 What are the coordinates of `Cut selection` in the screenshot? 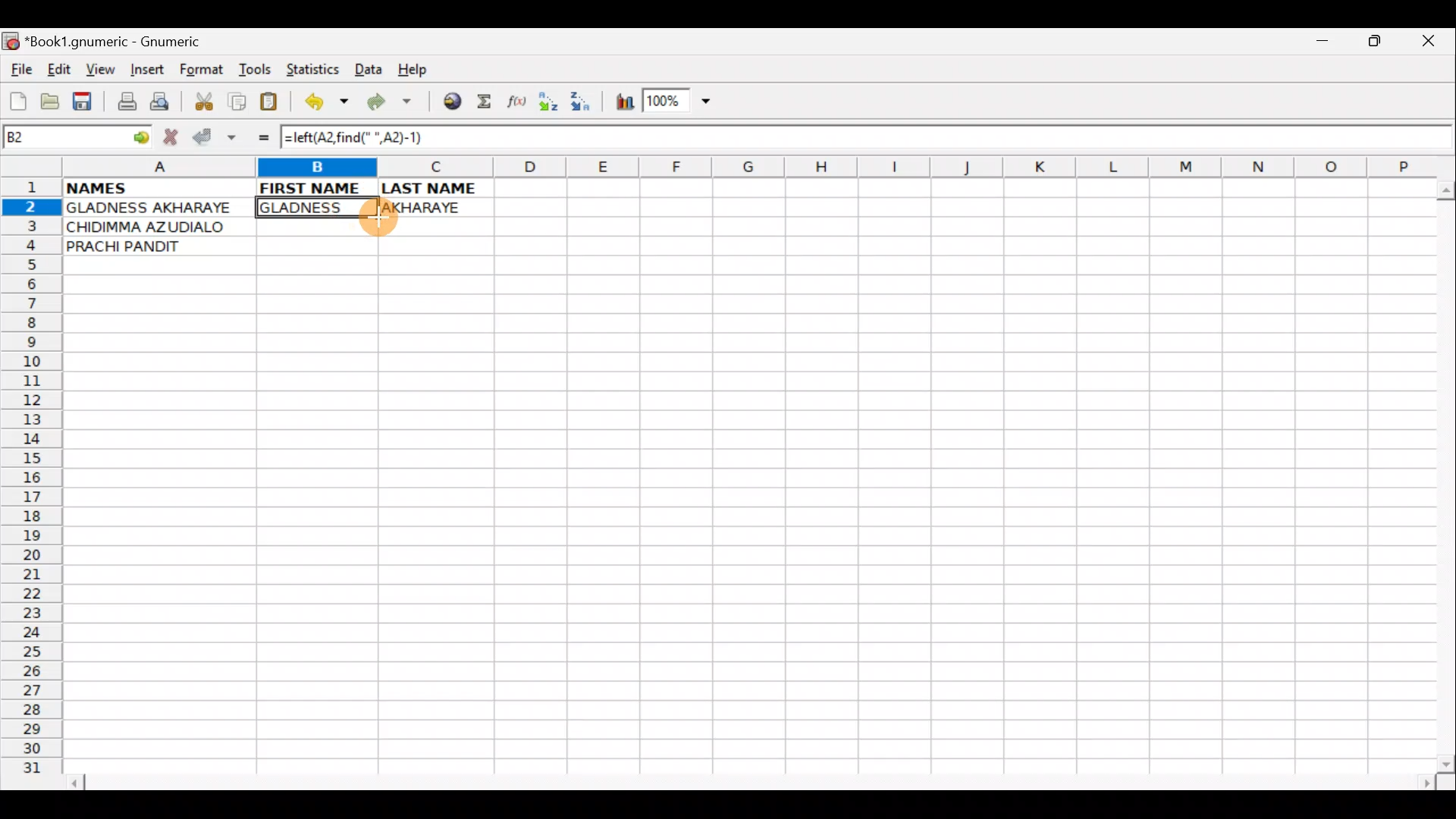 It's located at (203, 99).